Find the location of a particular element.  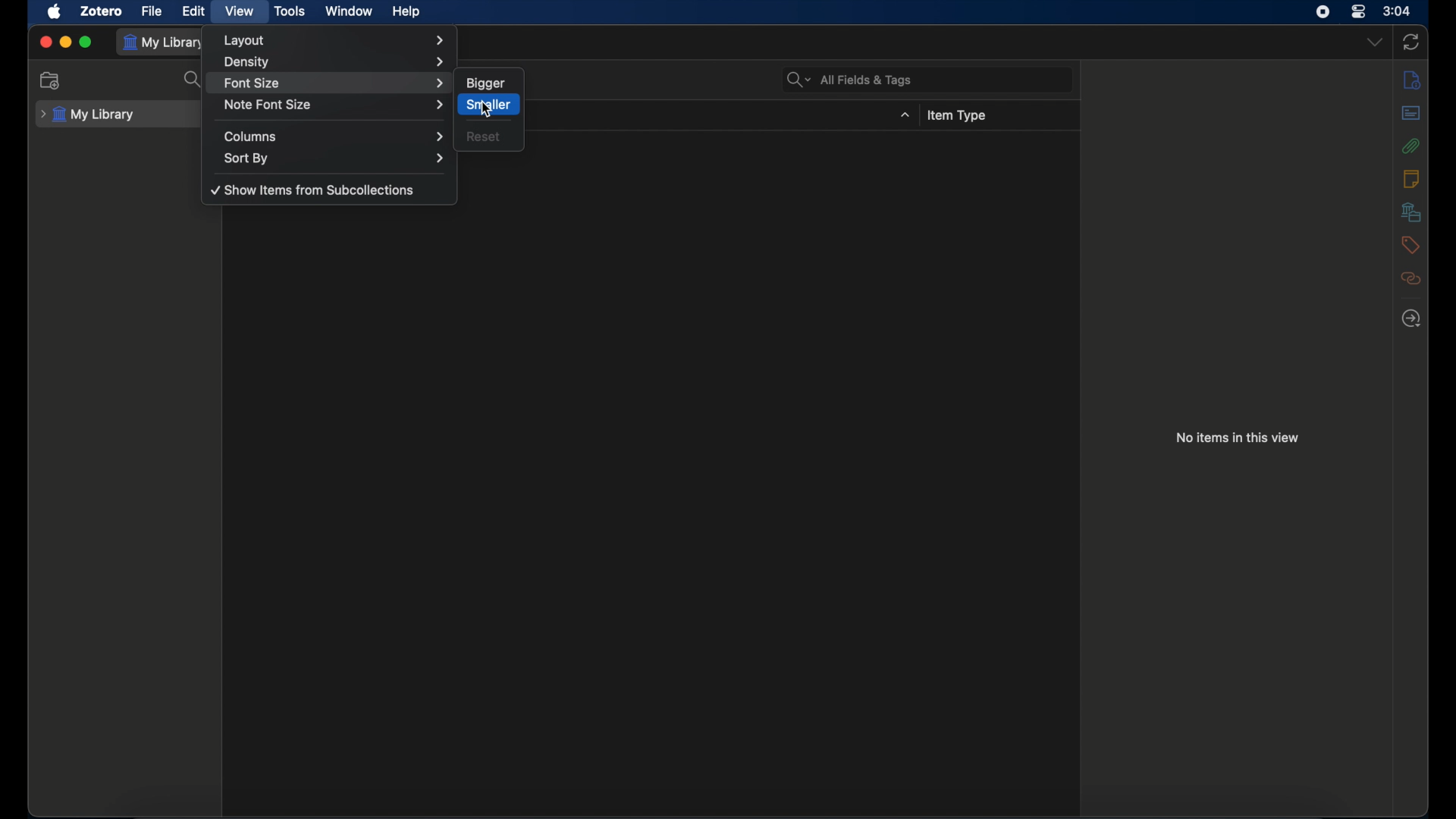

dropdown is located at coordinates (1376, 41).